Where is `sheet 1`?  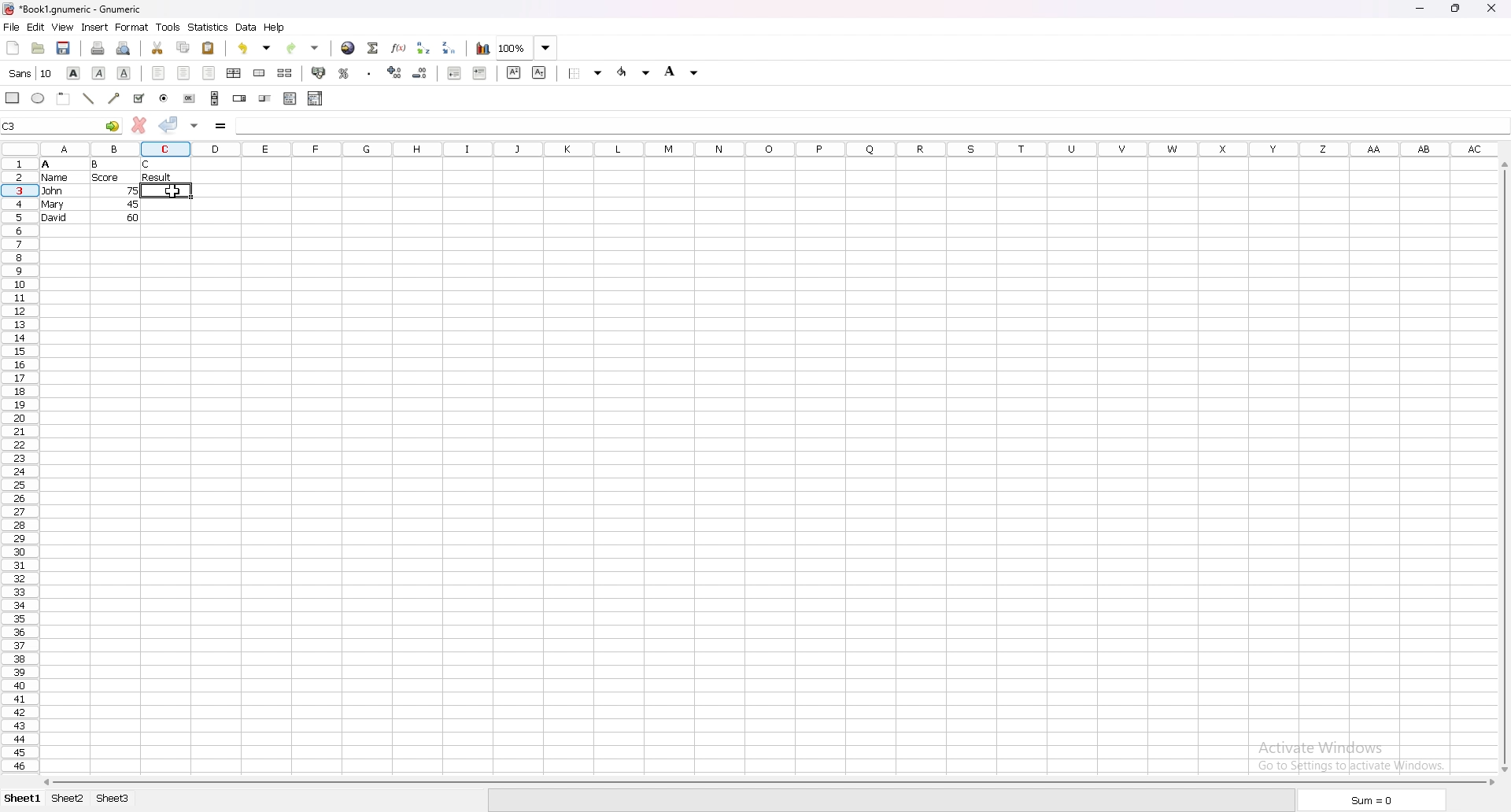
sheet 1 is located at coordinates (20, 800).